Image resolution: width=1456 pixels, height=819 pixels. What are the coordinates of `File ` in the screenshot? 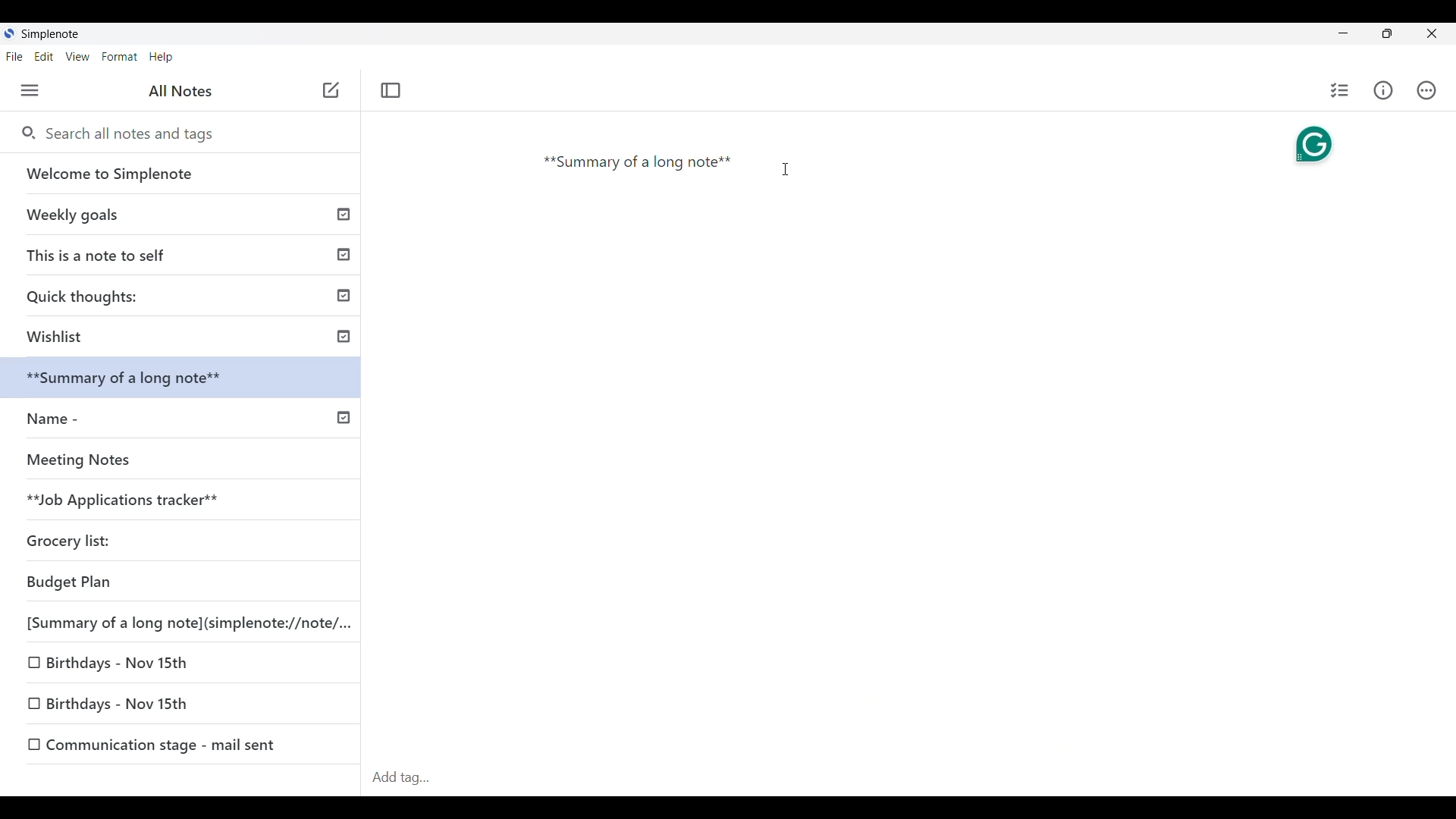 It's located at (14, 56).